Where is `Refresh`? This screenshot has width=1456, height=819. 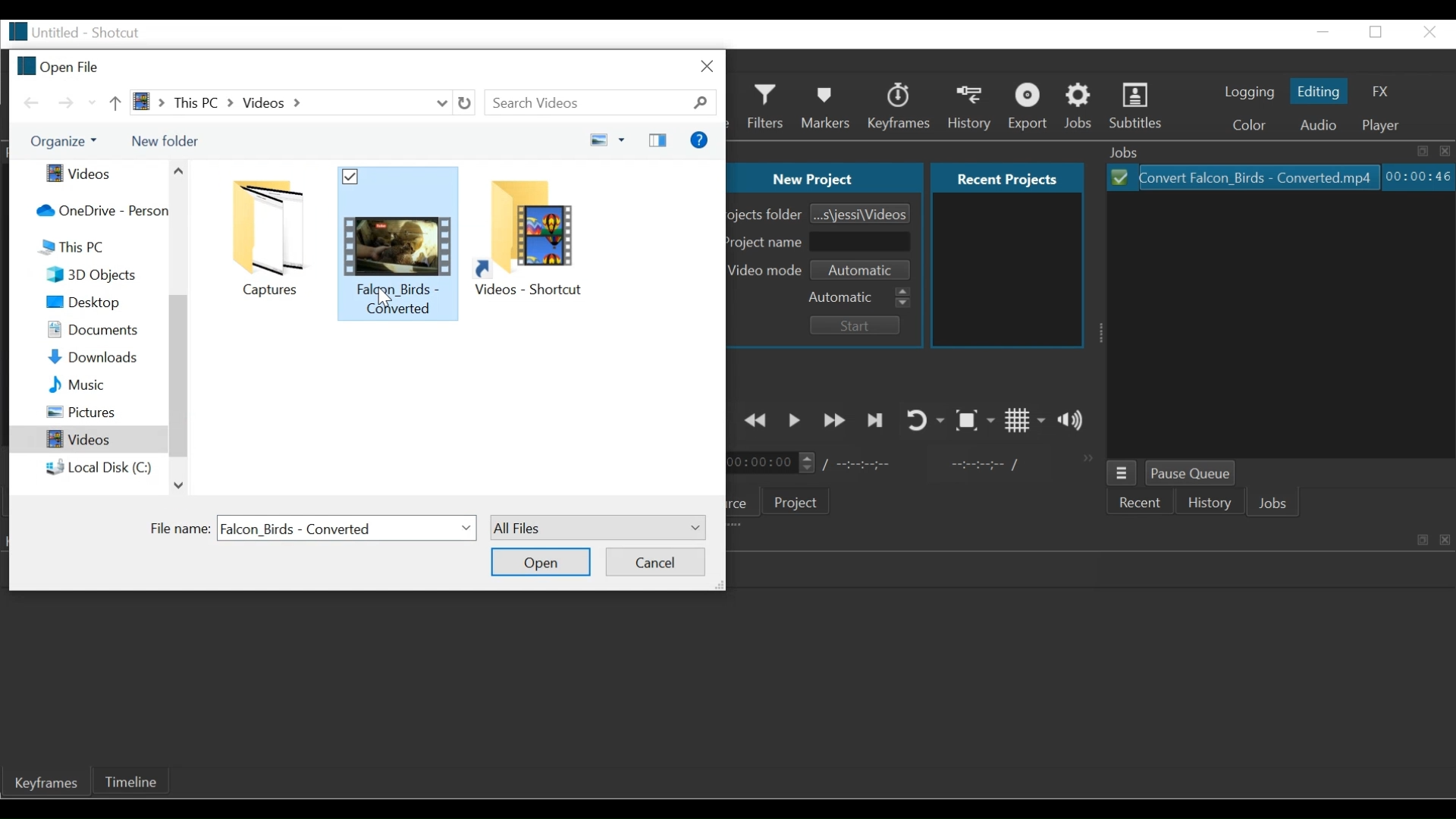 Refresh is located at coordinates (463, 102).